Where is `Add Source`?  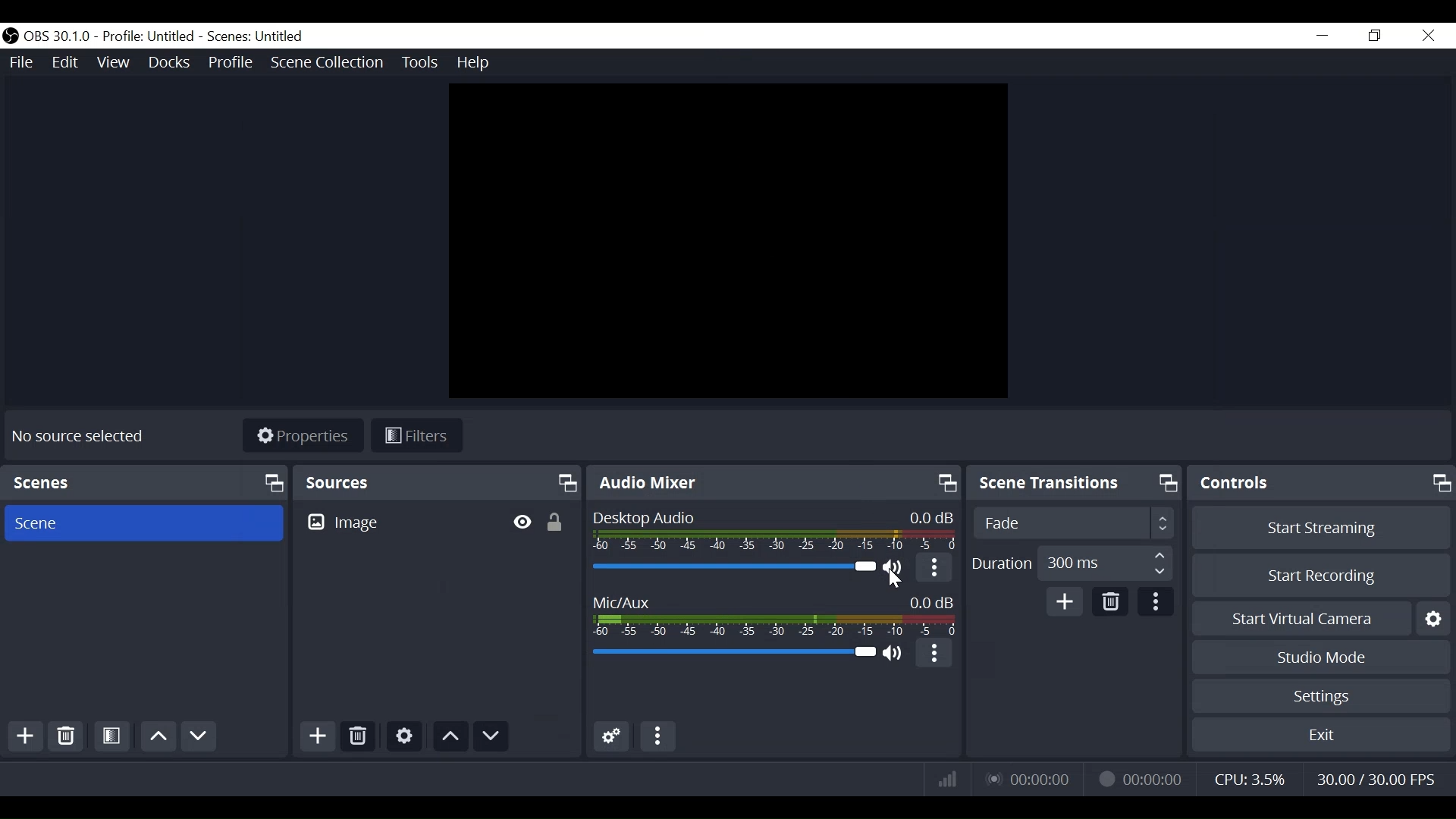 Add Source is located at coordinates (316, 736).